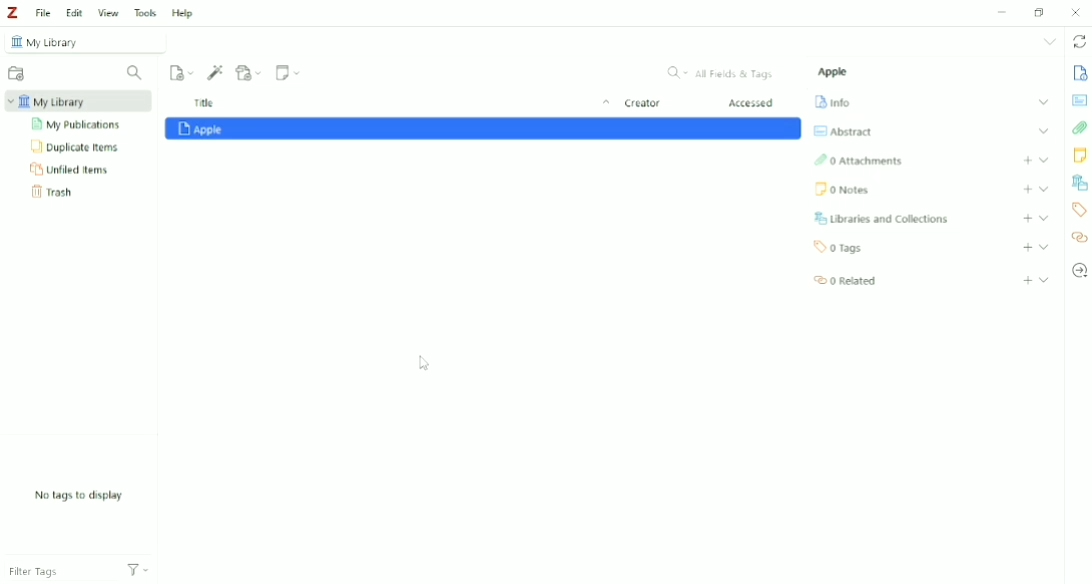 The width and height of the screenshot is (1092, 584). What do you see at coordinates (288, 73) in the screenshot?
I see `New Note` at bounding box center [288, 73].